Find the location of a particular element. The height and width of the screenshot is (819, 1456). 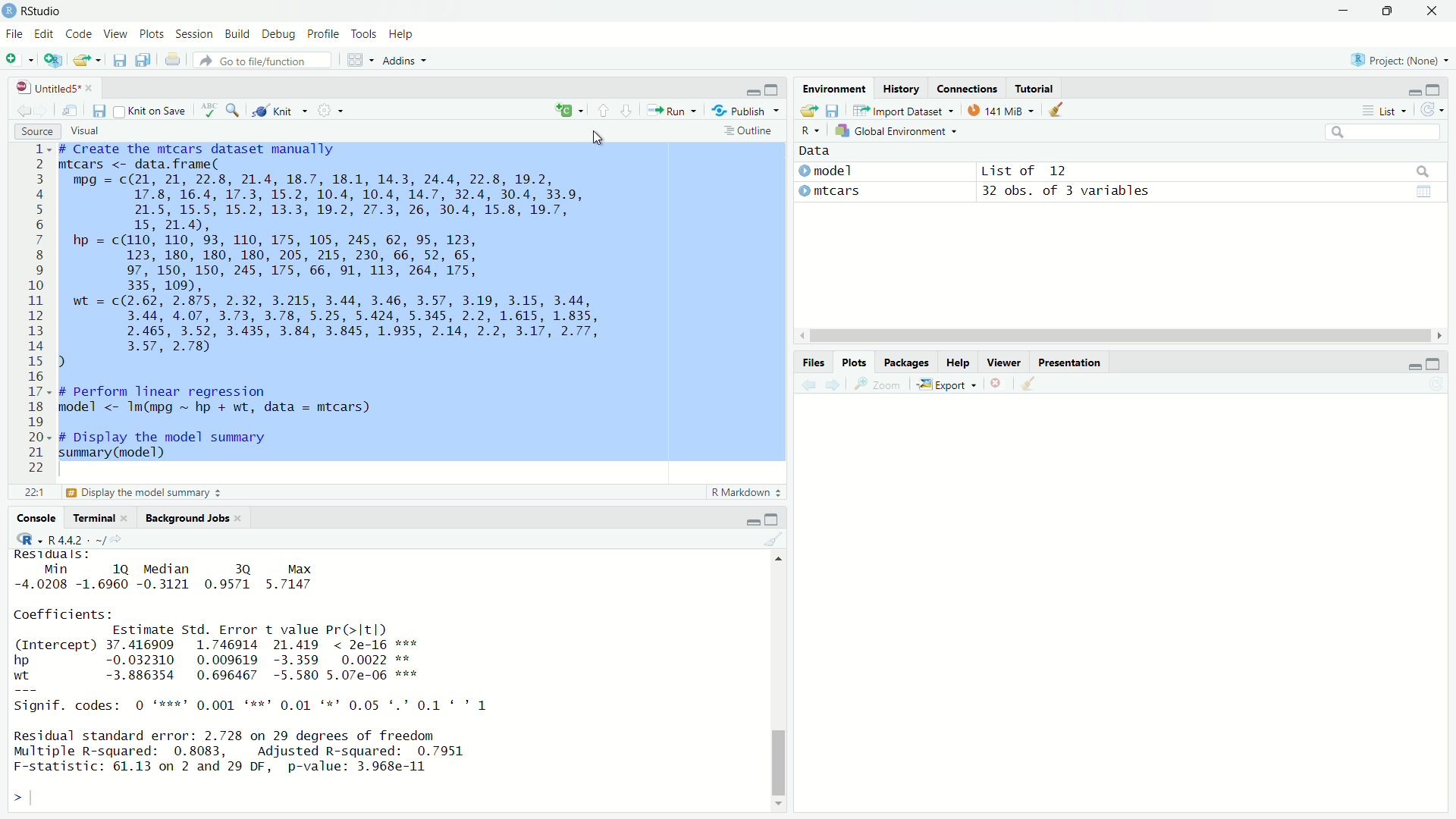

workspace panes is located at coordinates (356, 60).